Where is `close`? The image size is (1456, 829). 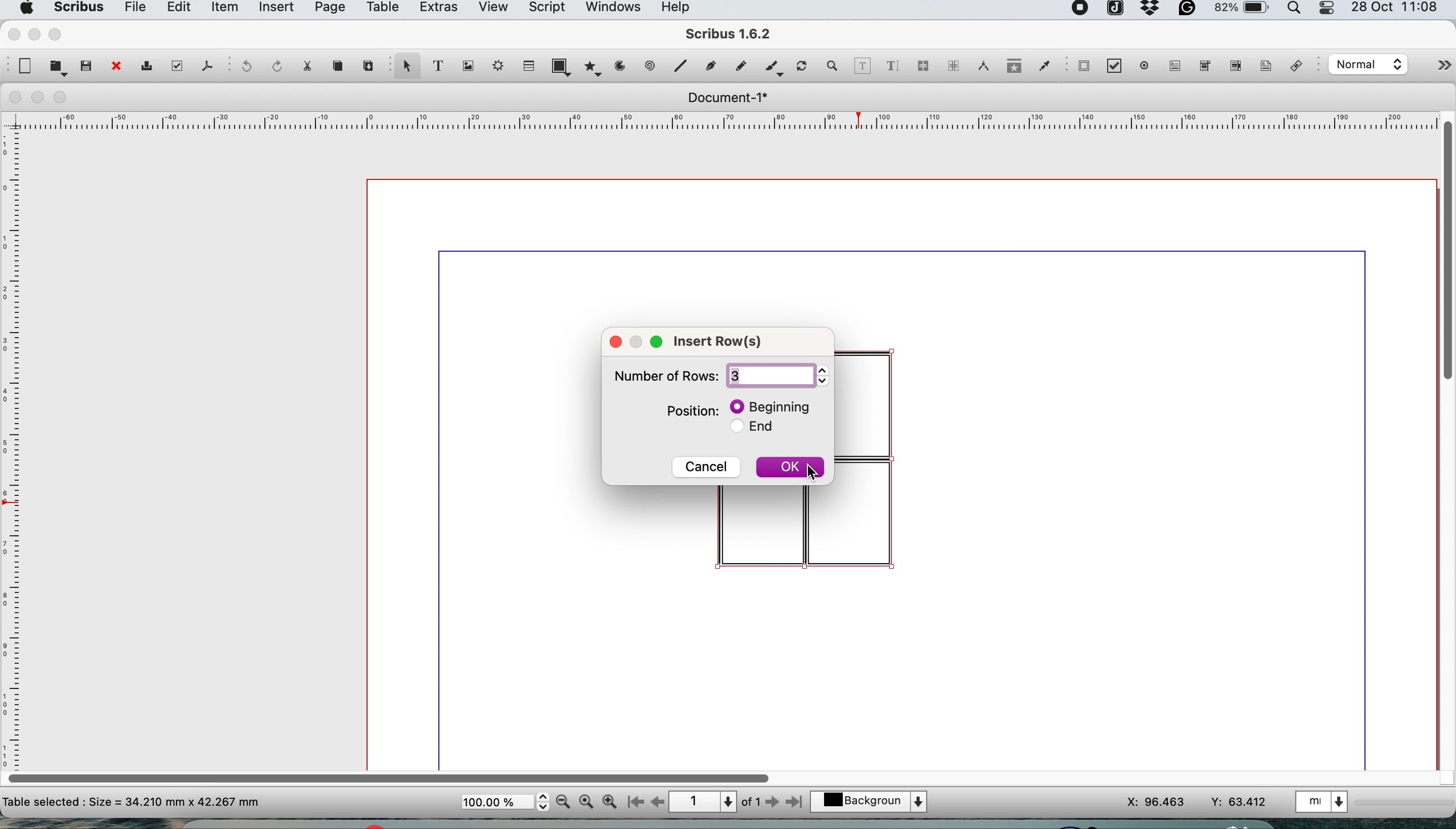
close is located at coordinates (616, 341).